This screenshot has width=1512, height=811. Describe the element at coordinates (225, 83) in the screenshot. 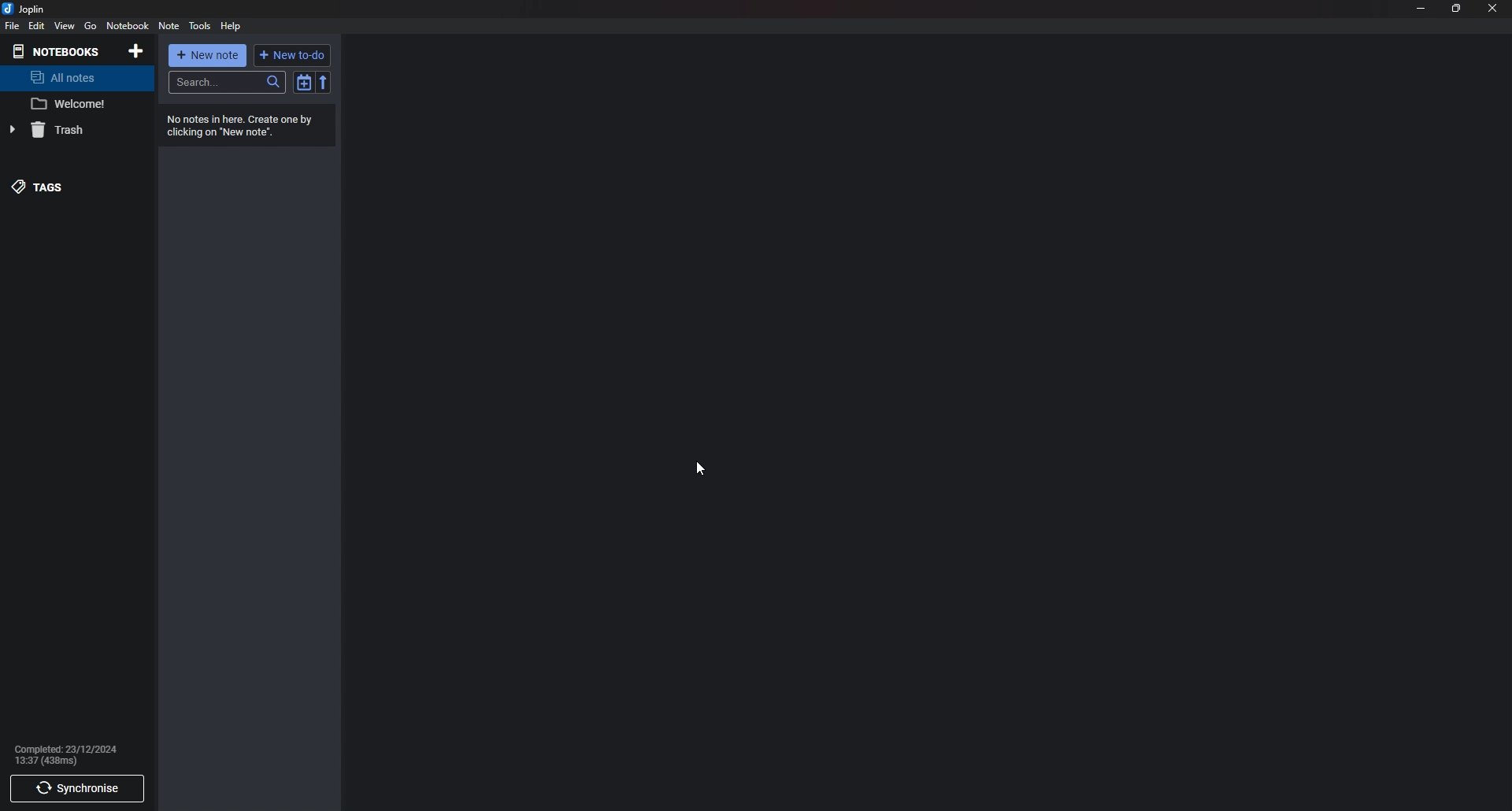

I see `Search` at that location.